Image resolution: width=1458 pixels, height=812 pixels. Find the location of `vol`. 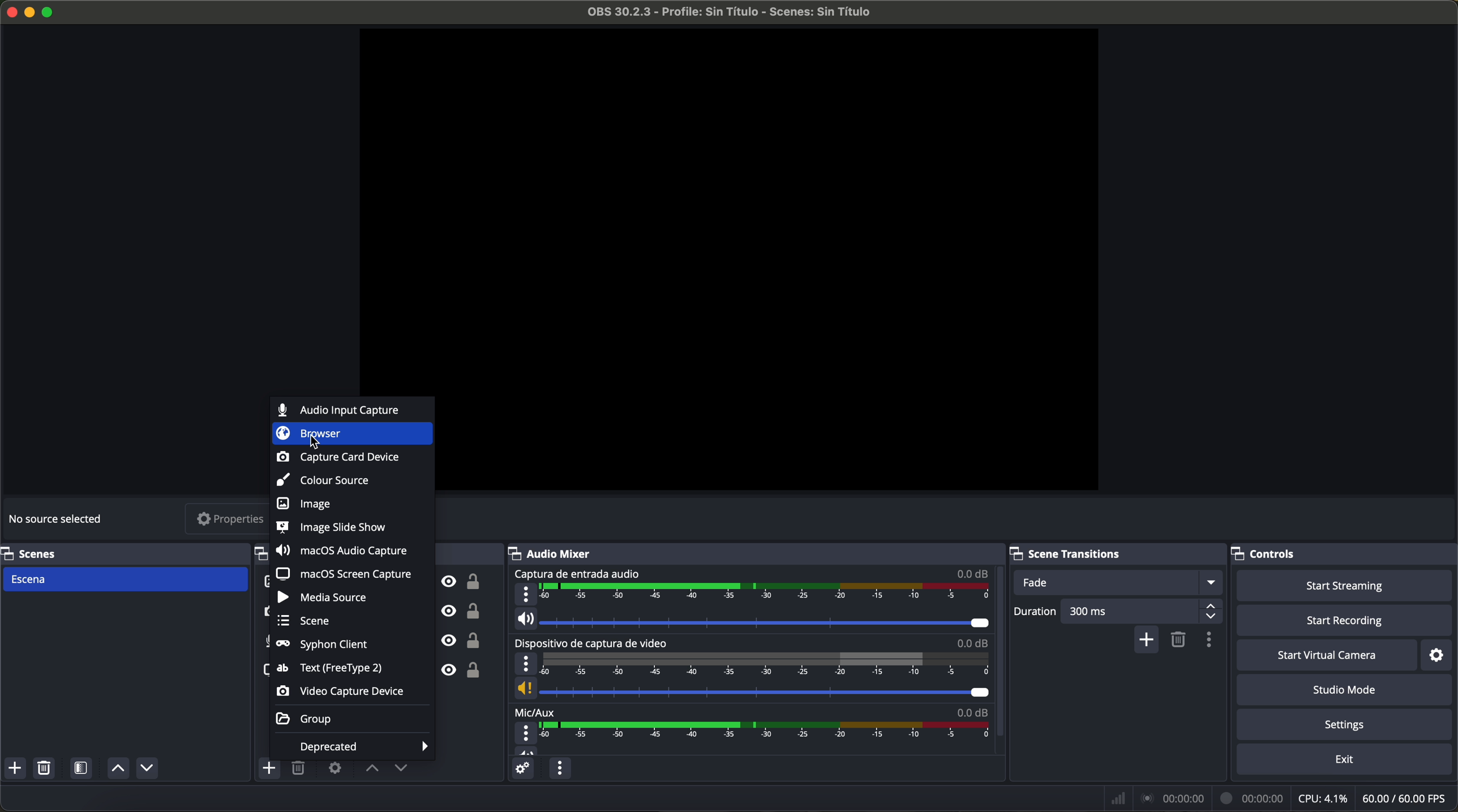

vol is located at coordinates (756, 620).